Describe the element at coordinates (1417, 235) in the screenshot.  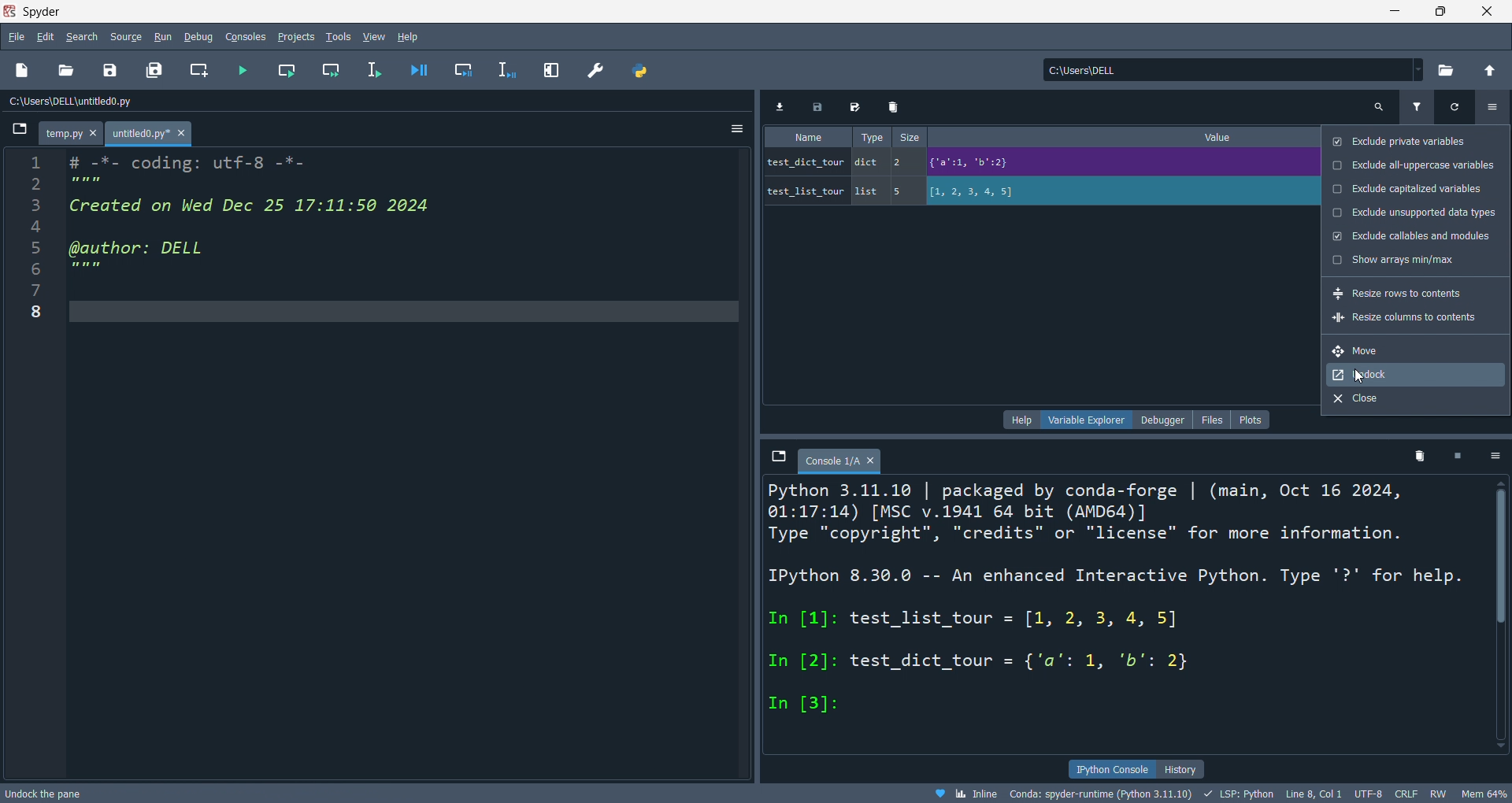
I see `exclude callables and modules` at that location.